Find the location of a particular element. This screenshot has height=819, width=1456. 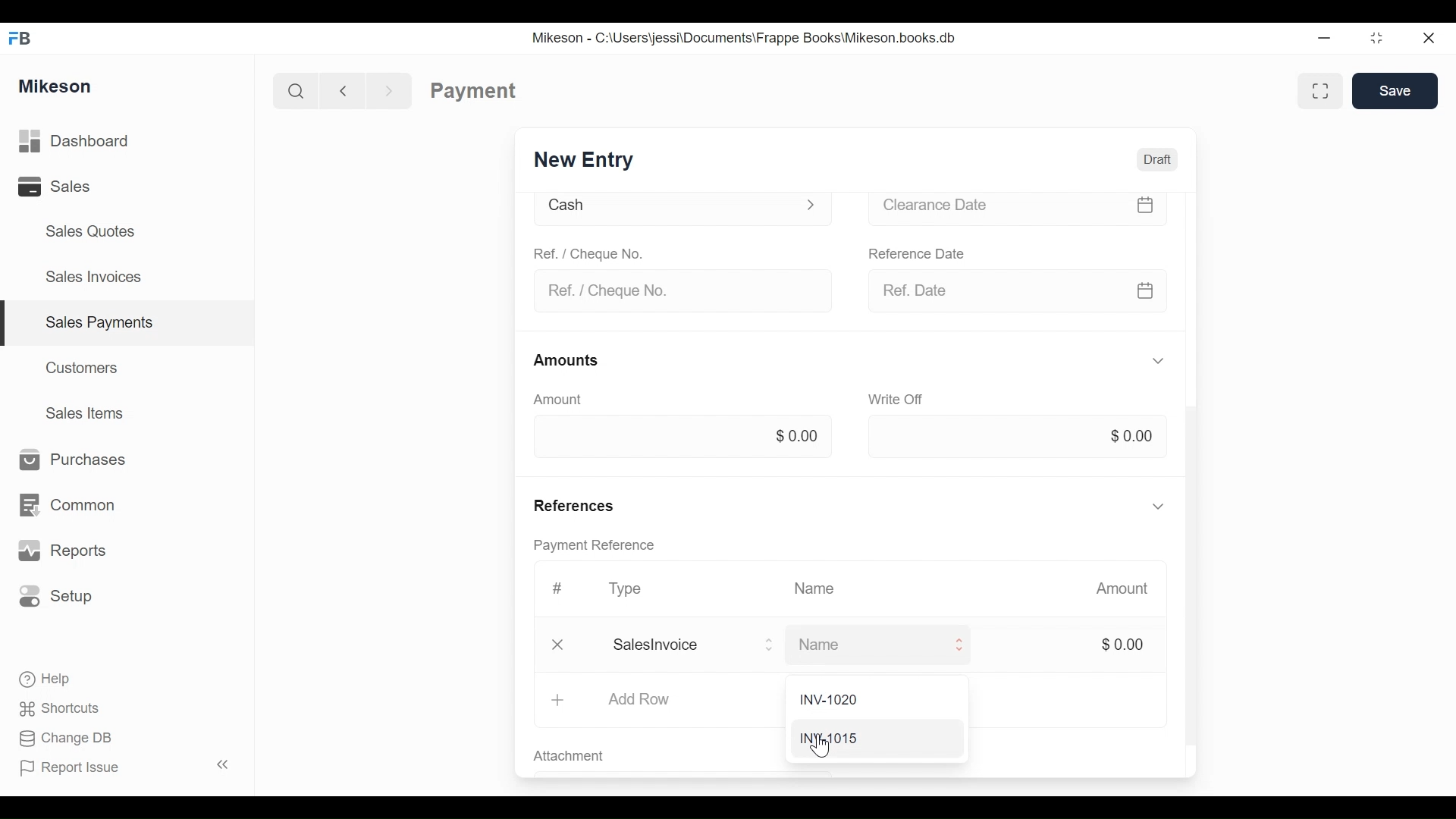

Reports is located at coordinates (65, 551).